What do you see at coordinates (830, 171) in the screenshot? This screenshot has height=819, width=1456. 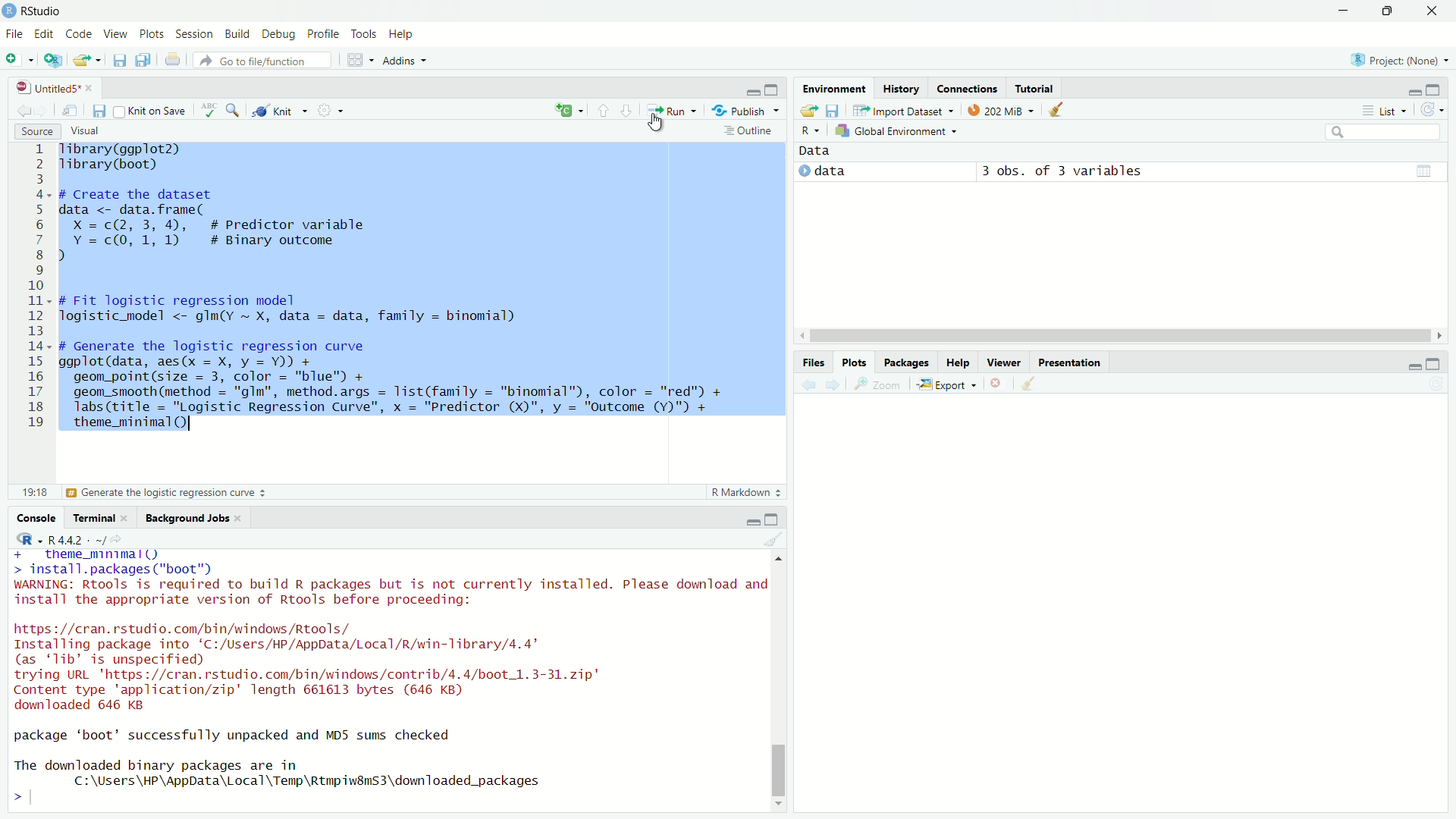 I see `data` at bounding box center [830, 171].